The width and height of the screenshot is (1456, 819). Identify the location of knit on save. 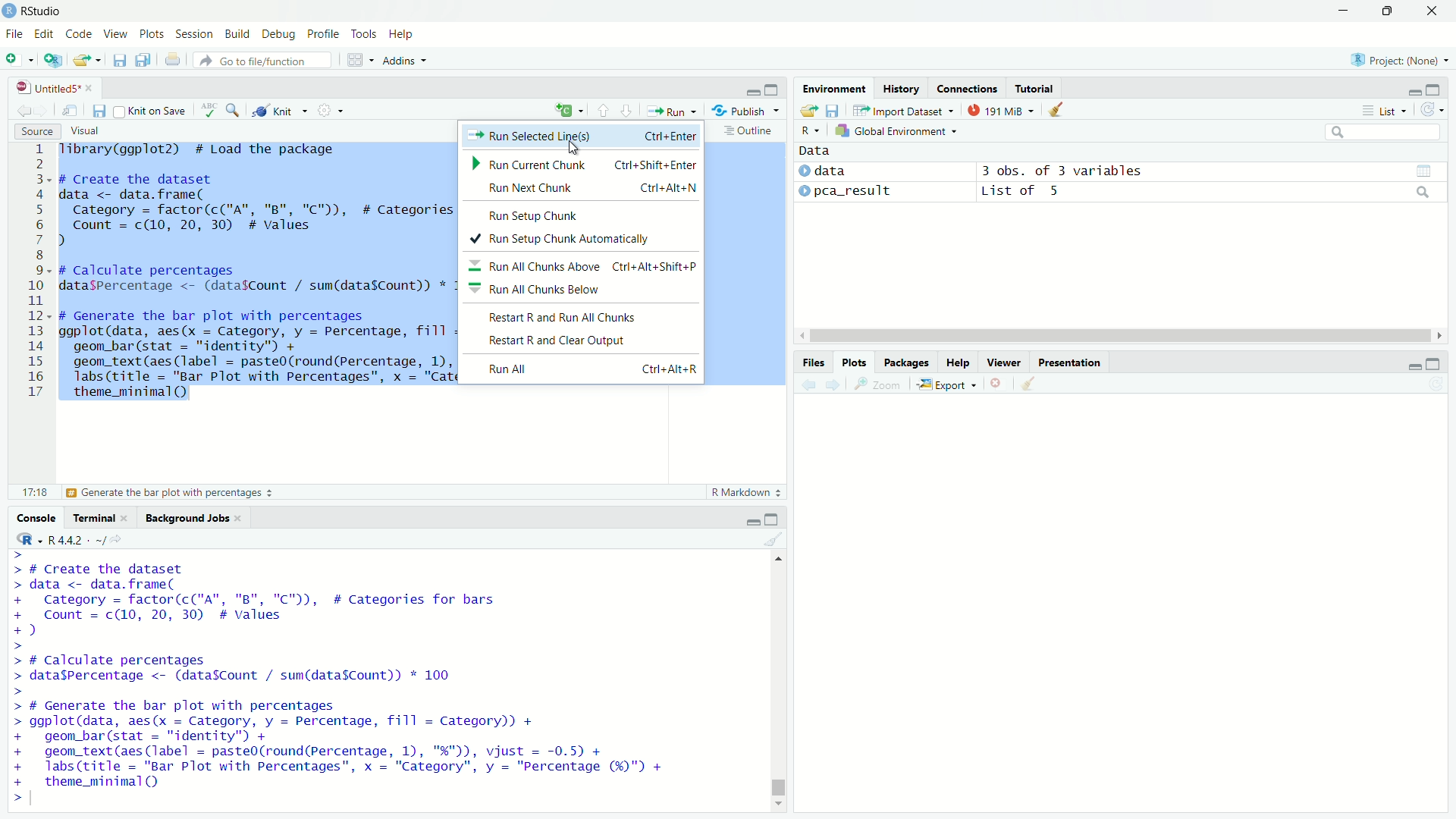
(152, 111).